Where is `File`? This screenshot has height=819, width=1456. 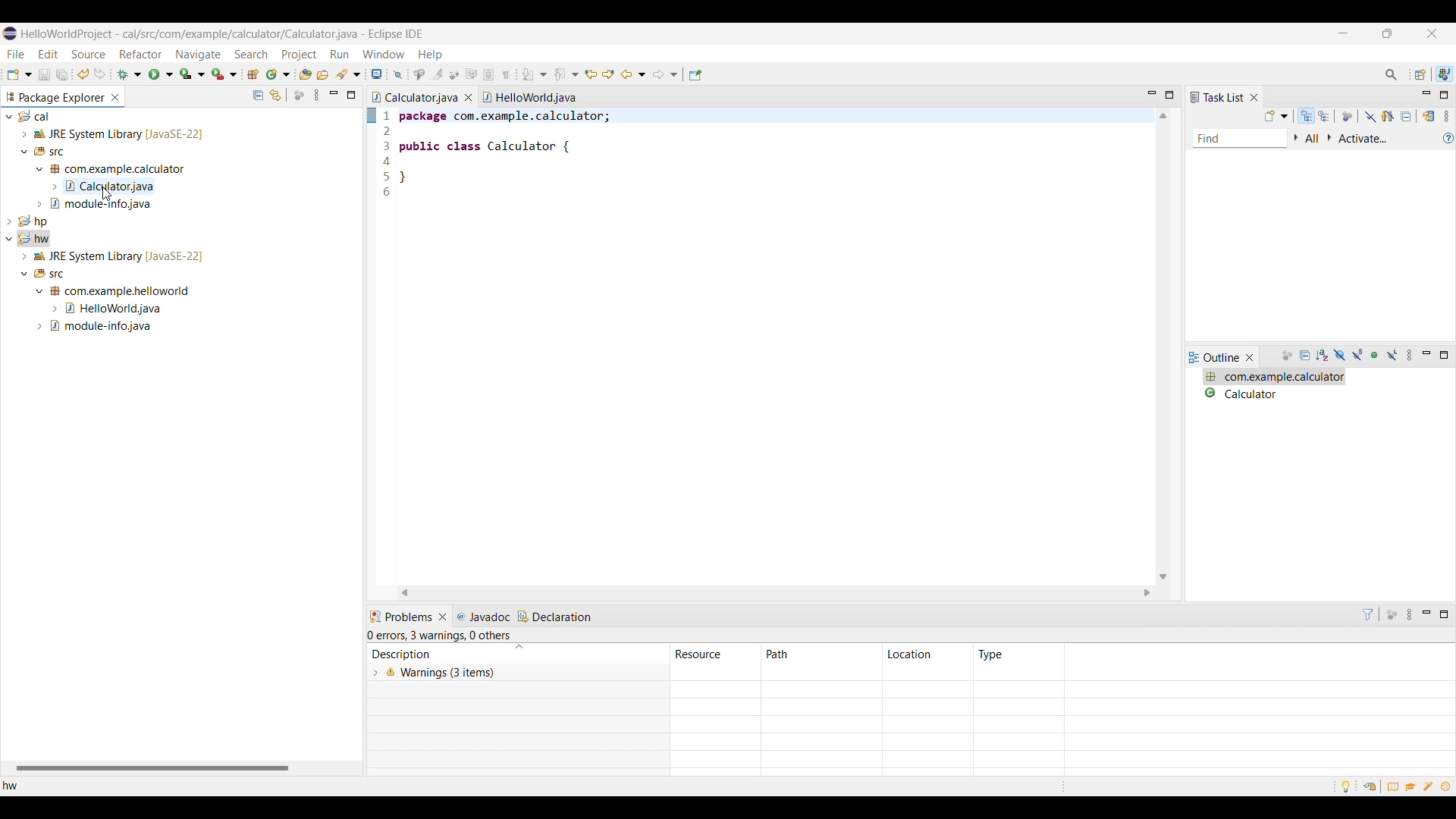
File is located at coordinates (16, 54).